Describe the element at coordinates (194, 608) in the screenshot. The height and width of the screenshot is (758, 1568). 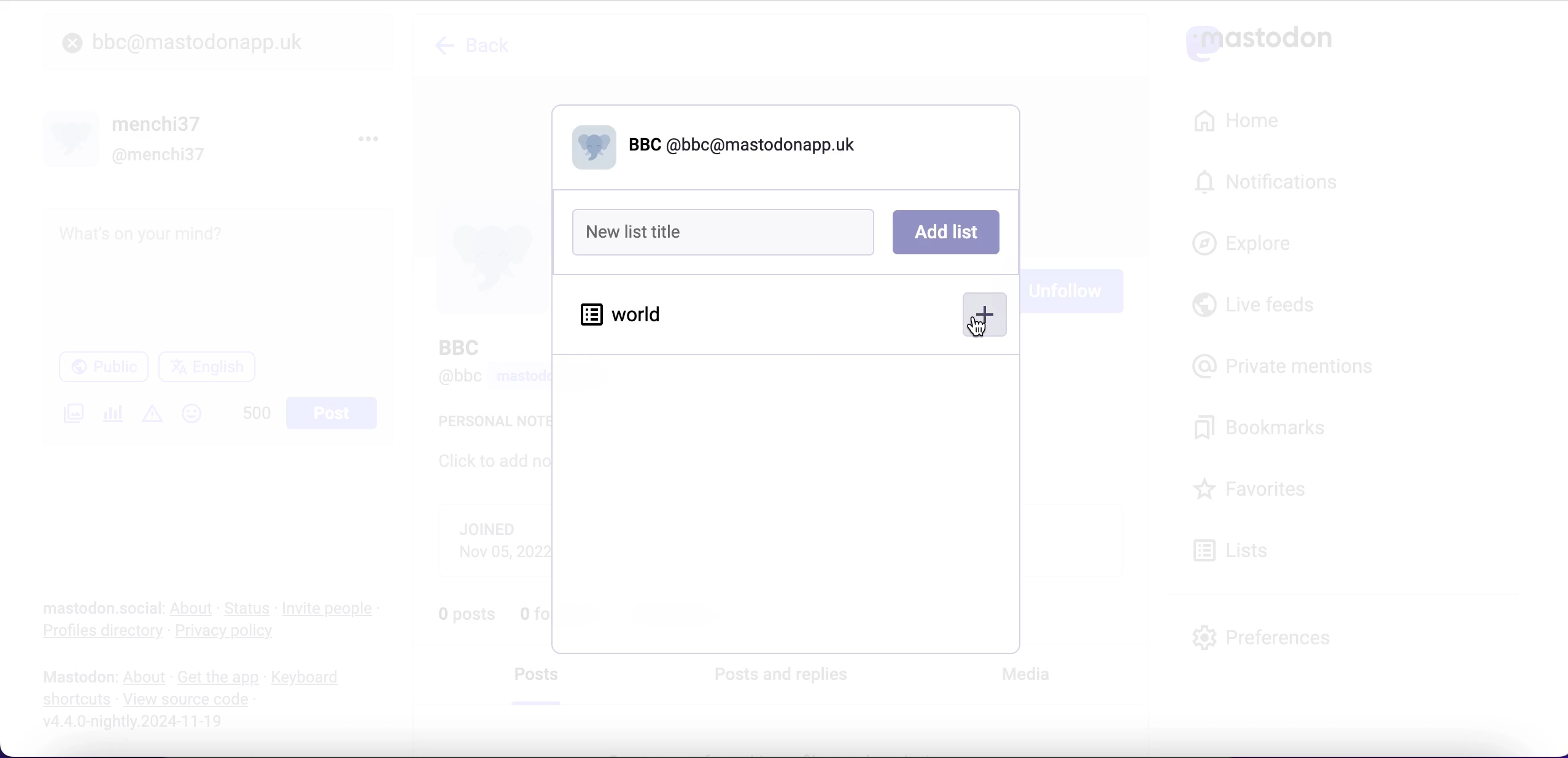
I see `about` at that location.